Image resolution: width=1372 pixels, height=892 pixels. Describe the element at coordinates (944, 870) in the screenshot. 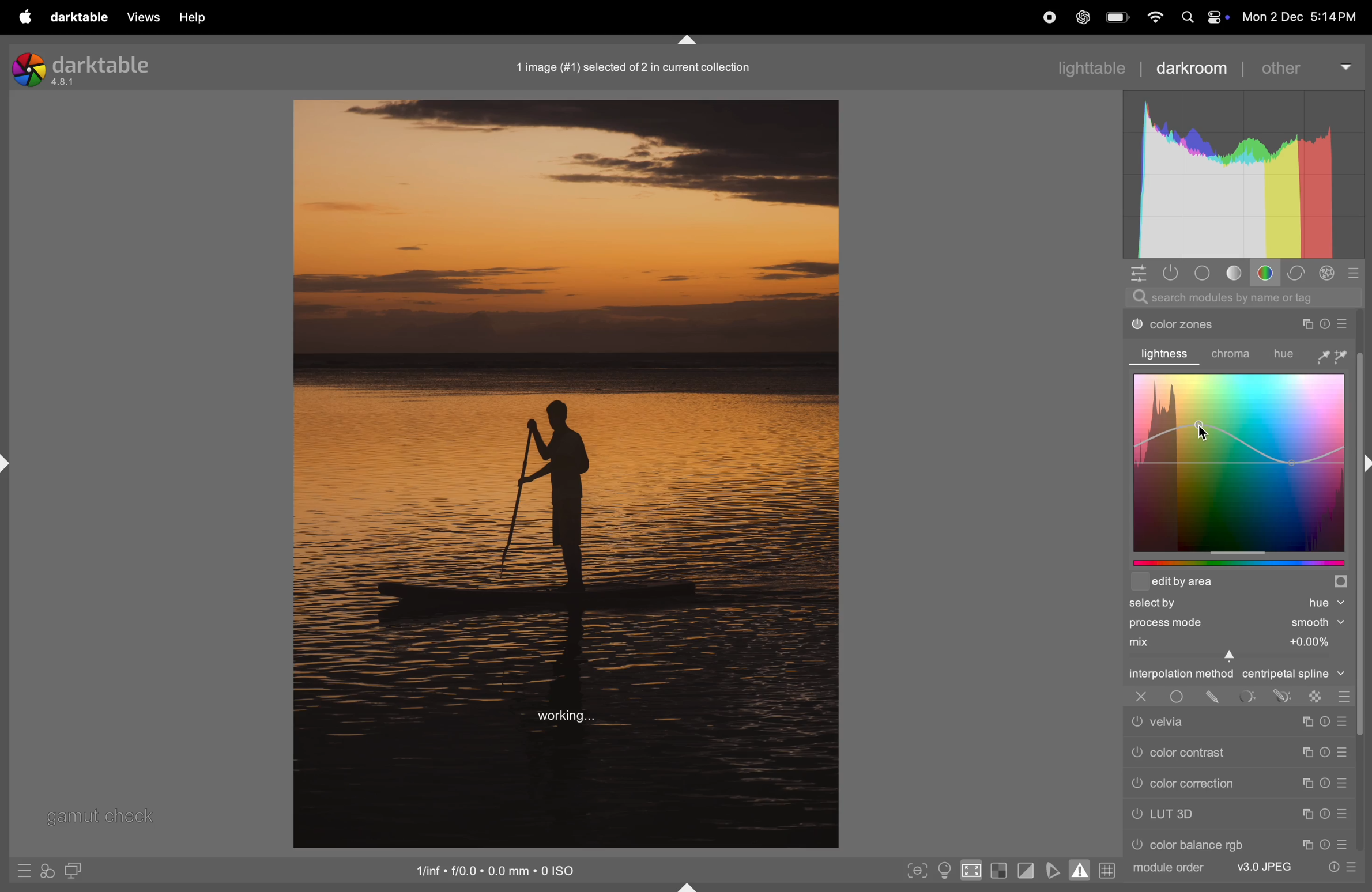

I see `toggle clor assment` at that location.